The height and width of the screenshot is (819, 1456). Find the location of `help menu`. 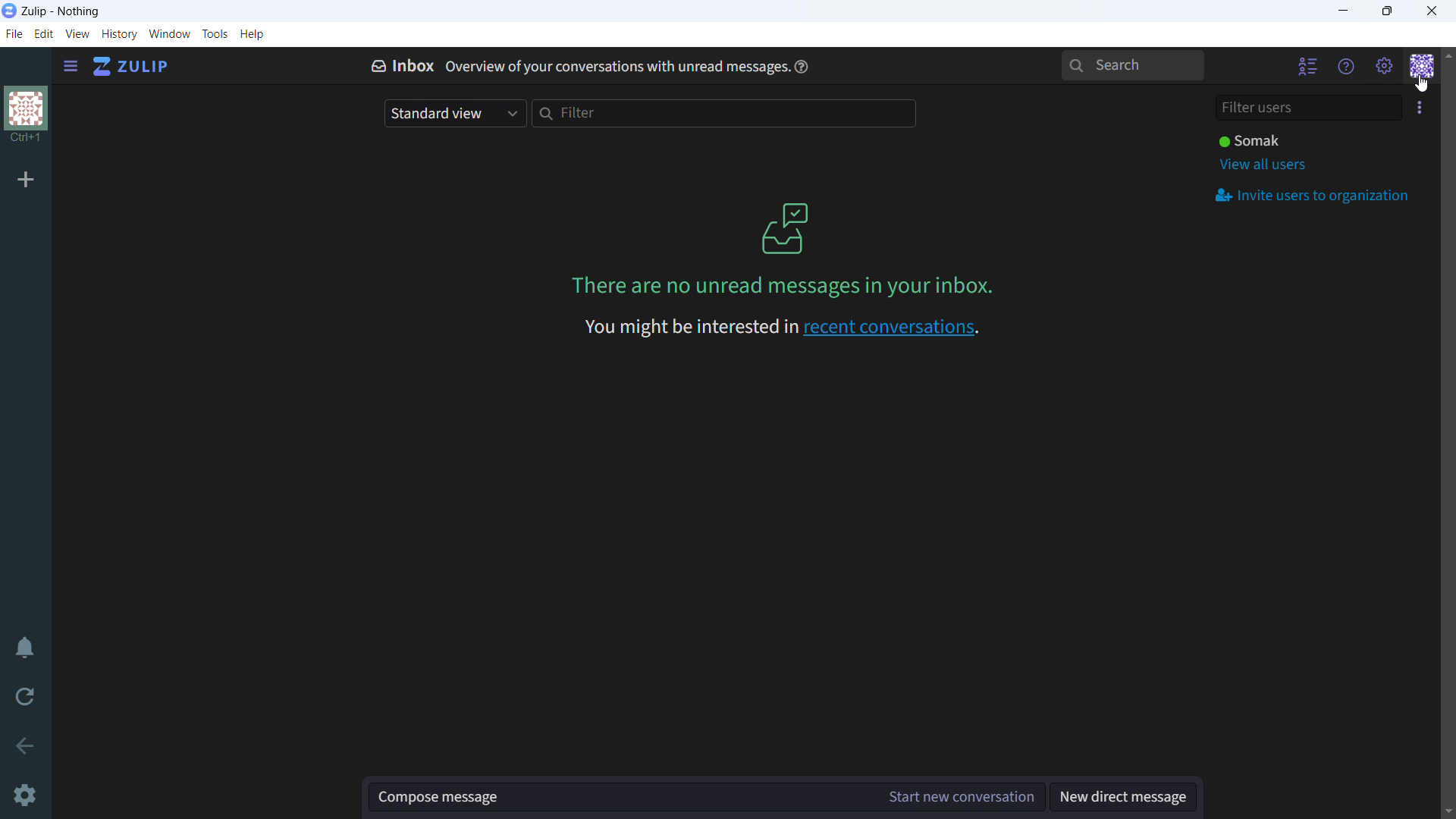

help menu is located at coordinates (1347, 67).